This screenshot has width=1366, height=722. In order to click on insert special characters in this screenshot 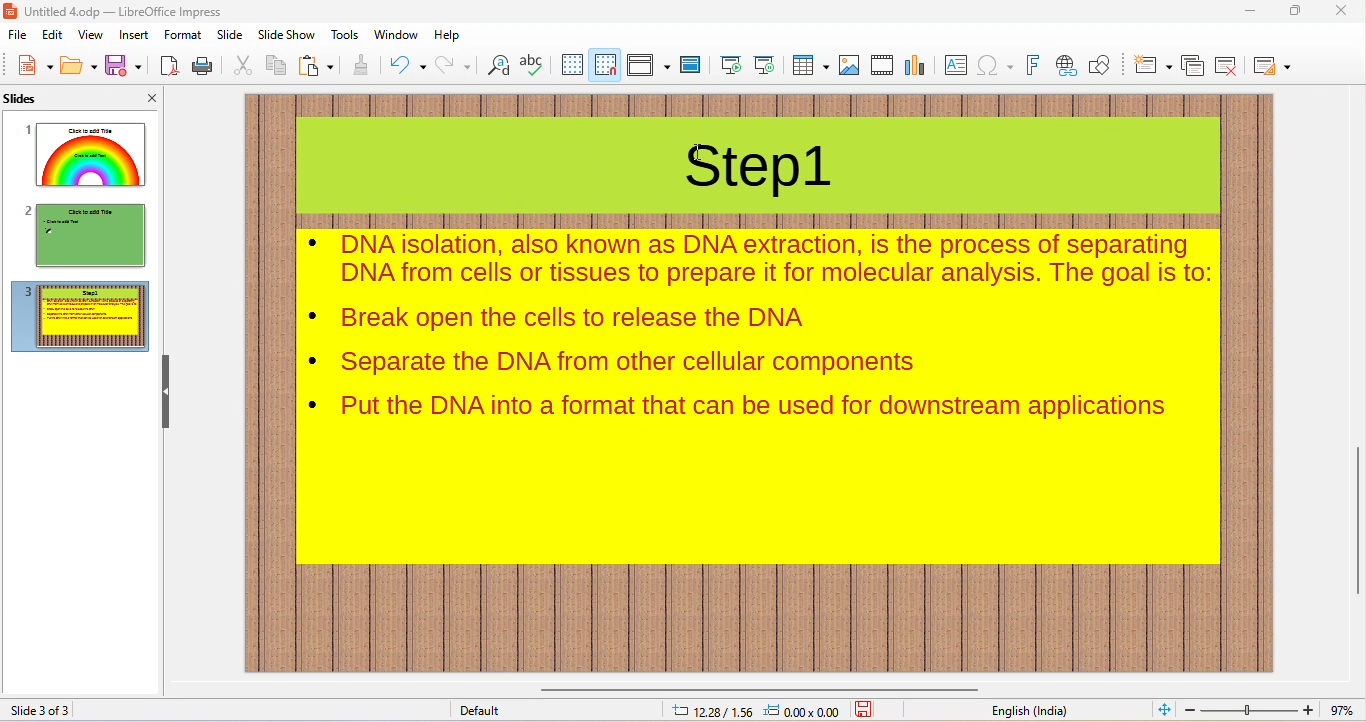, I will do `click(994, 65)`.